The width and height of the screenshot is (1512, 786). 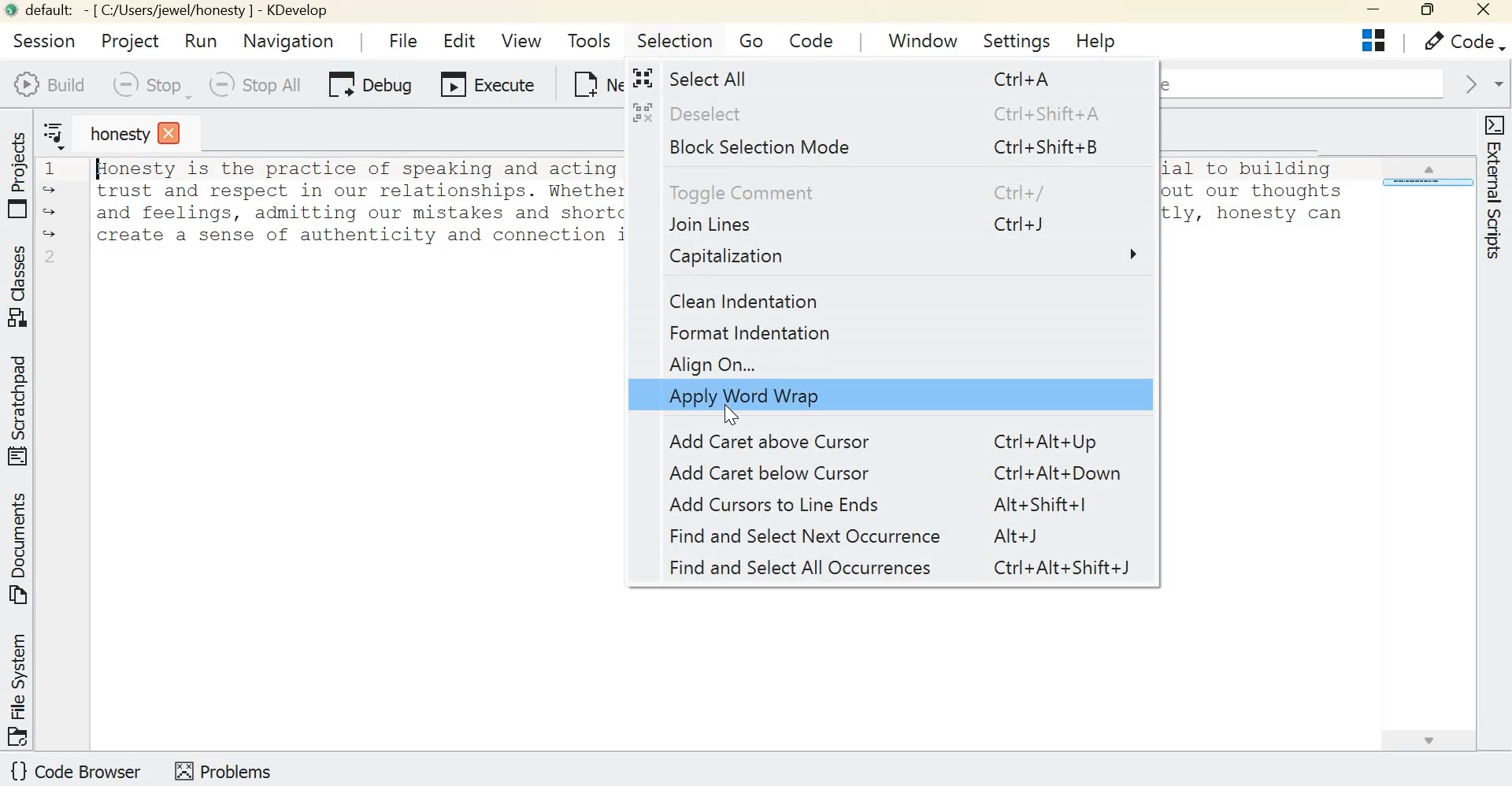 What do you see at coordinates (204, 41) in the screenshot?
I see `Run` at bounding box center [204, 41].